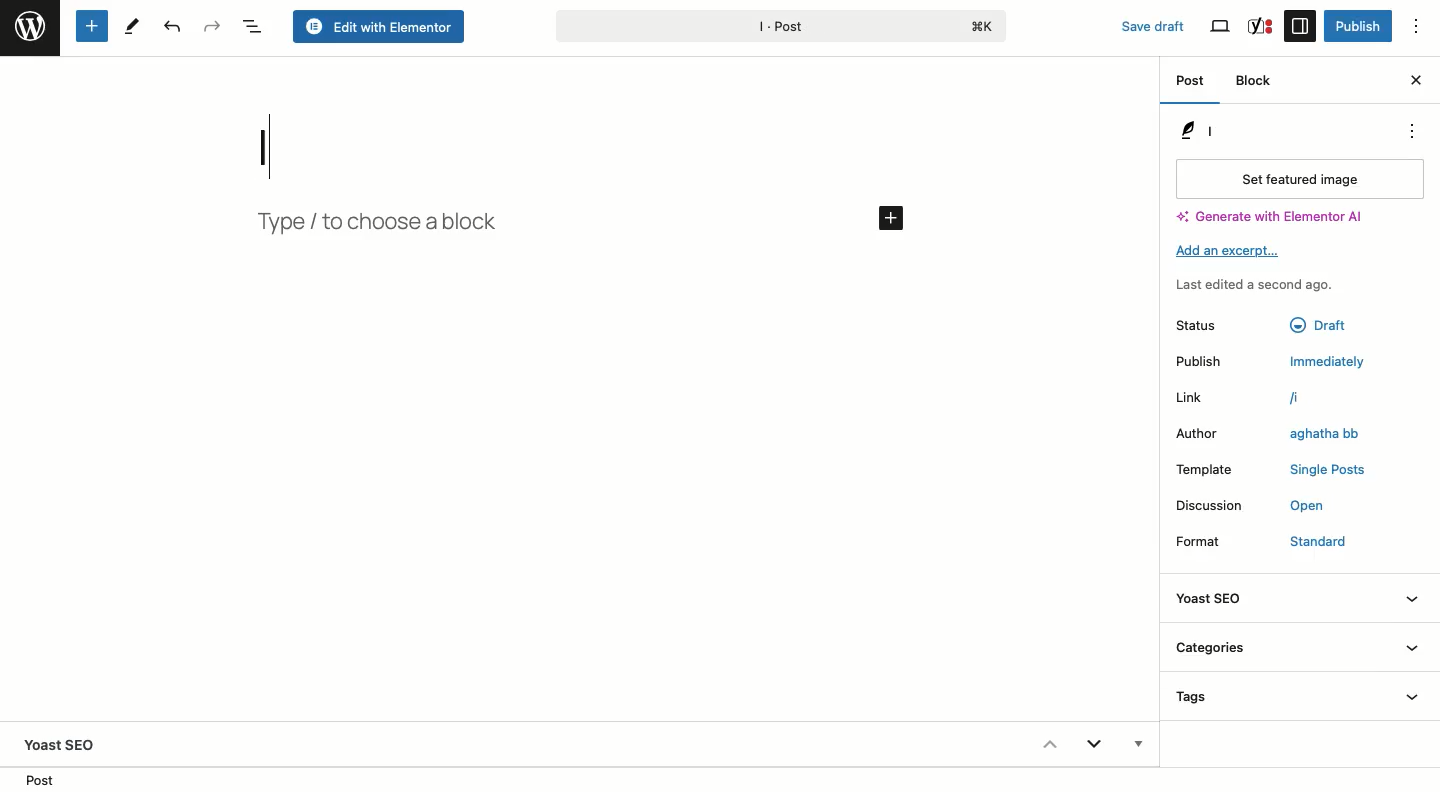  What do you see at coordinates (1300, 25) in the screenshot?
I see `Sidebar` at bounding box center [1300, 25].